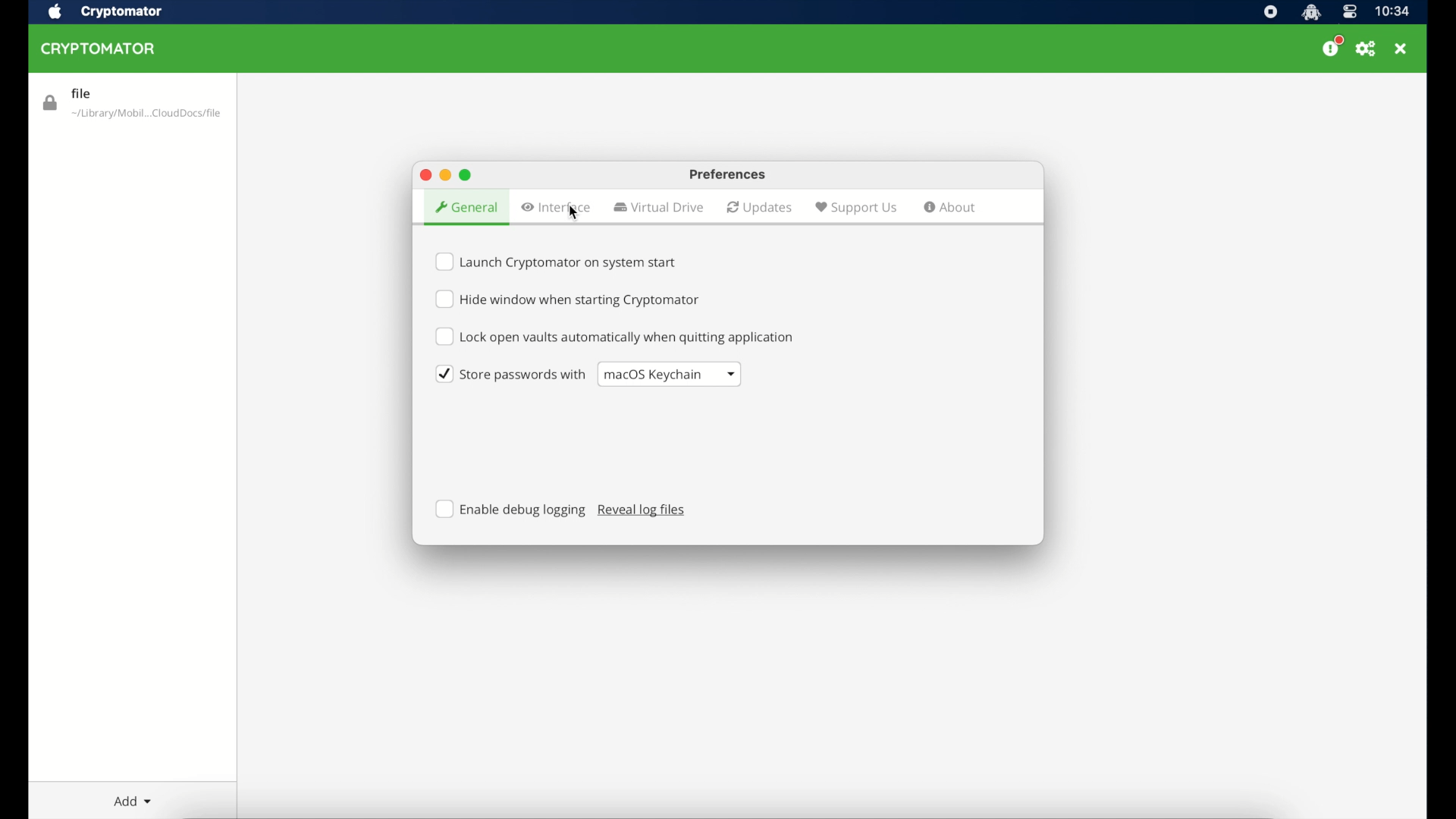 The image size is (1456, 819). Describe the element at coordinates (729, 175) in the screenshot. I see `preferences` at that location.